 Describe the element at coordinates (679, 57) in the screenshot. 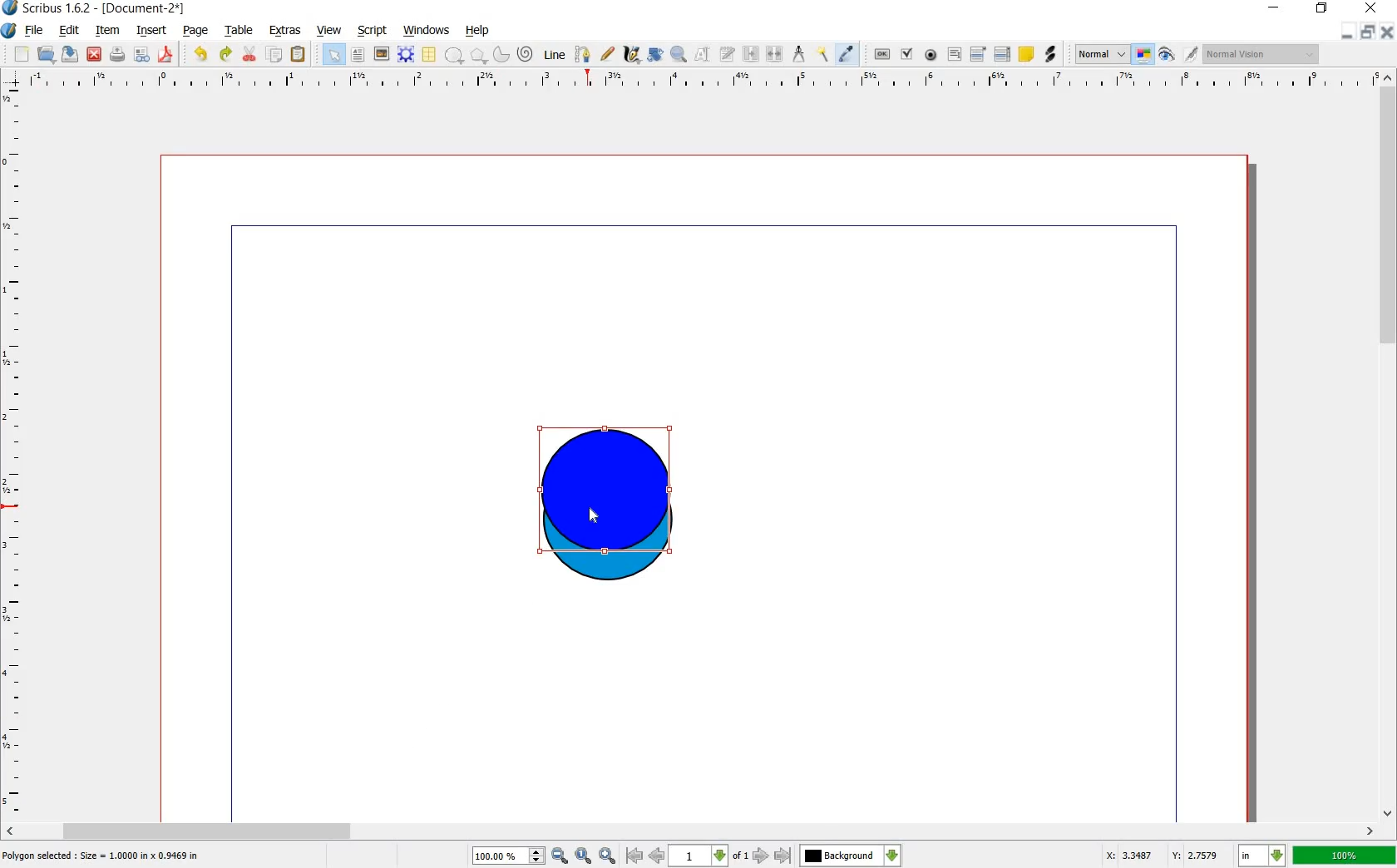

I see `zoom in or out` at that location.